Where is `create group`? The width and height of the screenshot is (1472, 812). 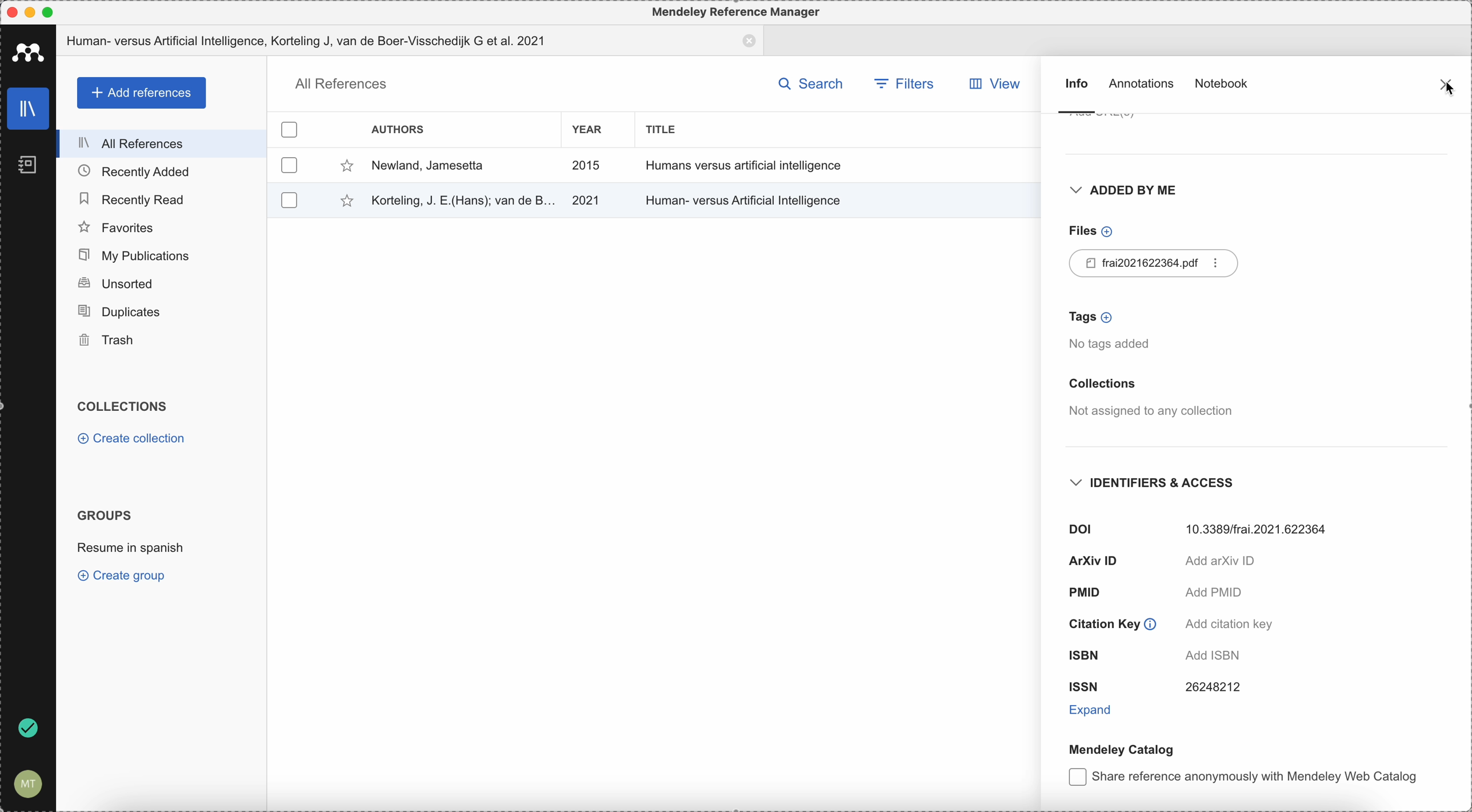
create group is located at coordinates (125, 577).